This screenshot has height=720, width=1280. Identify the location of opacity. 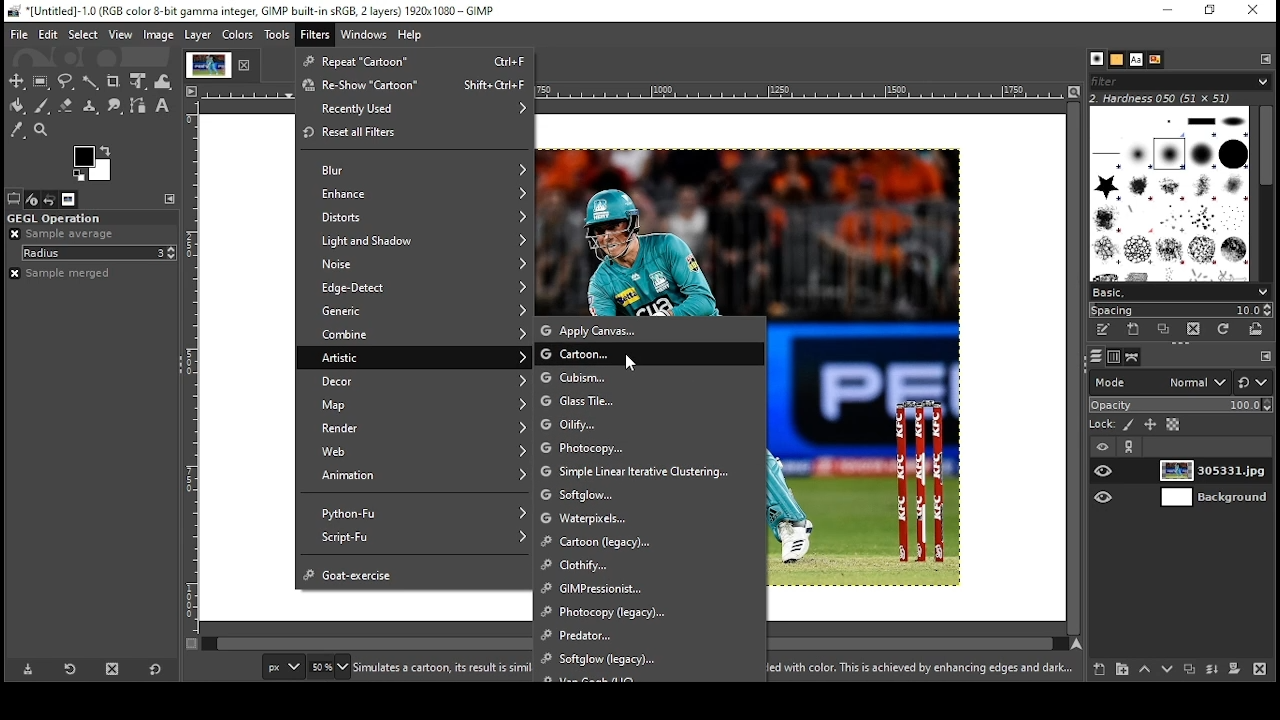
(1182, 405).